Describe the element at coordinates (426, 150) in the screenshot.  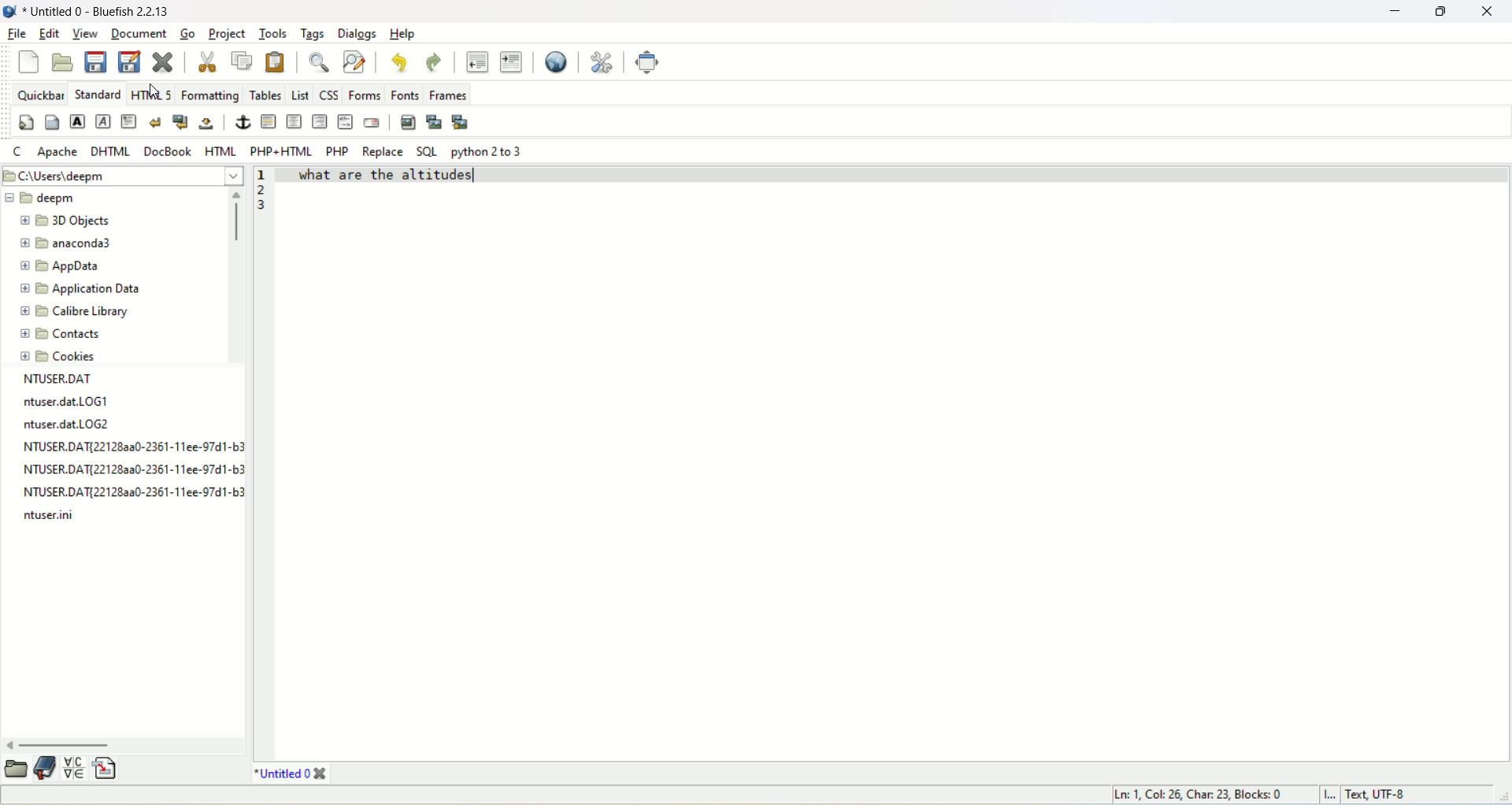
I see `SQL` at that location.